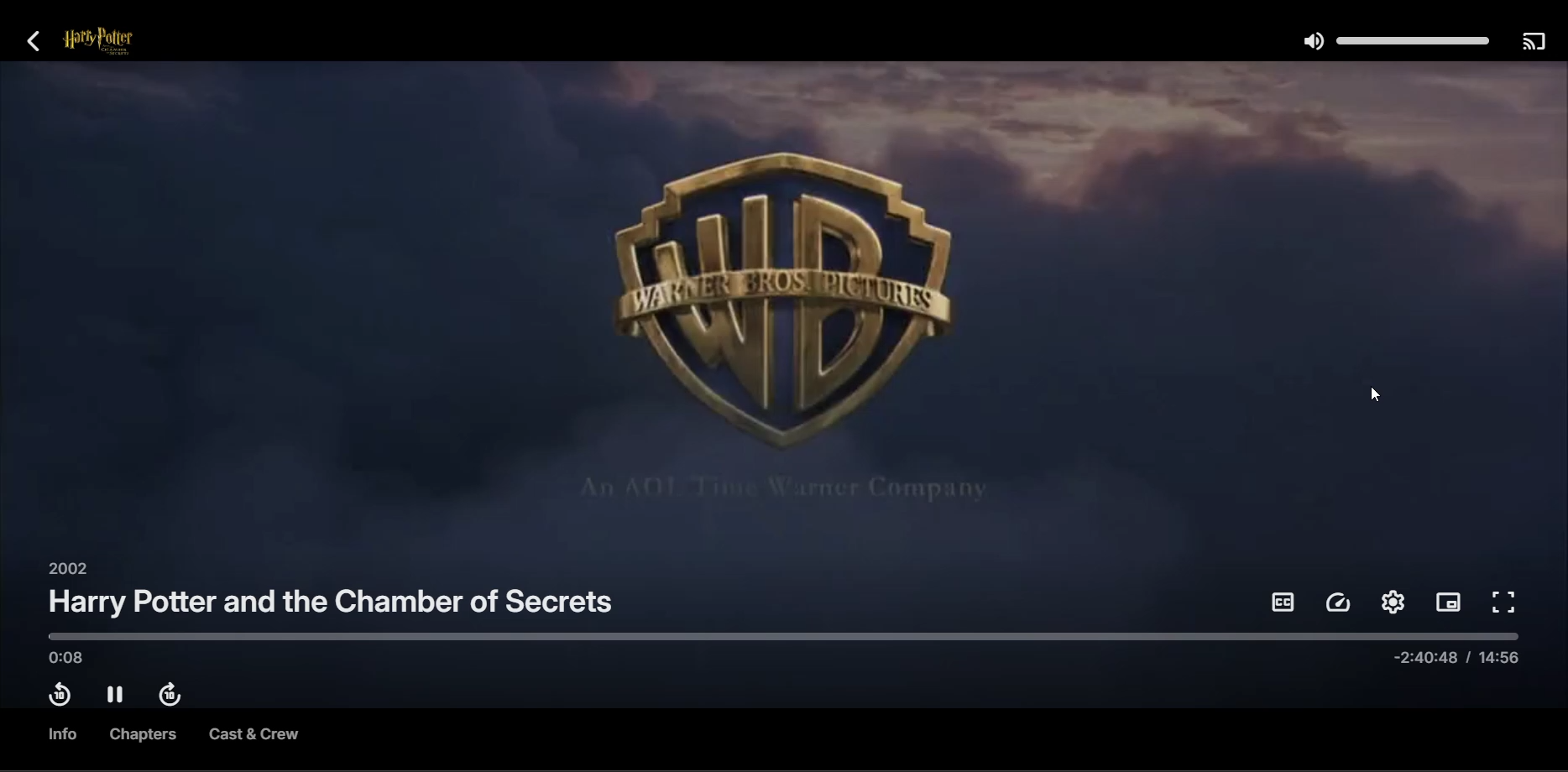 The height and width of the screenshot is (772, 1568). Describe the element at coordinates (777, 637) in the screenshot. I see `Movie Timeline` at that location.